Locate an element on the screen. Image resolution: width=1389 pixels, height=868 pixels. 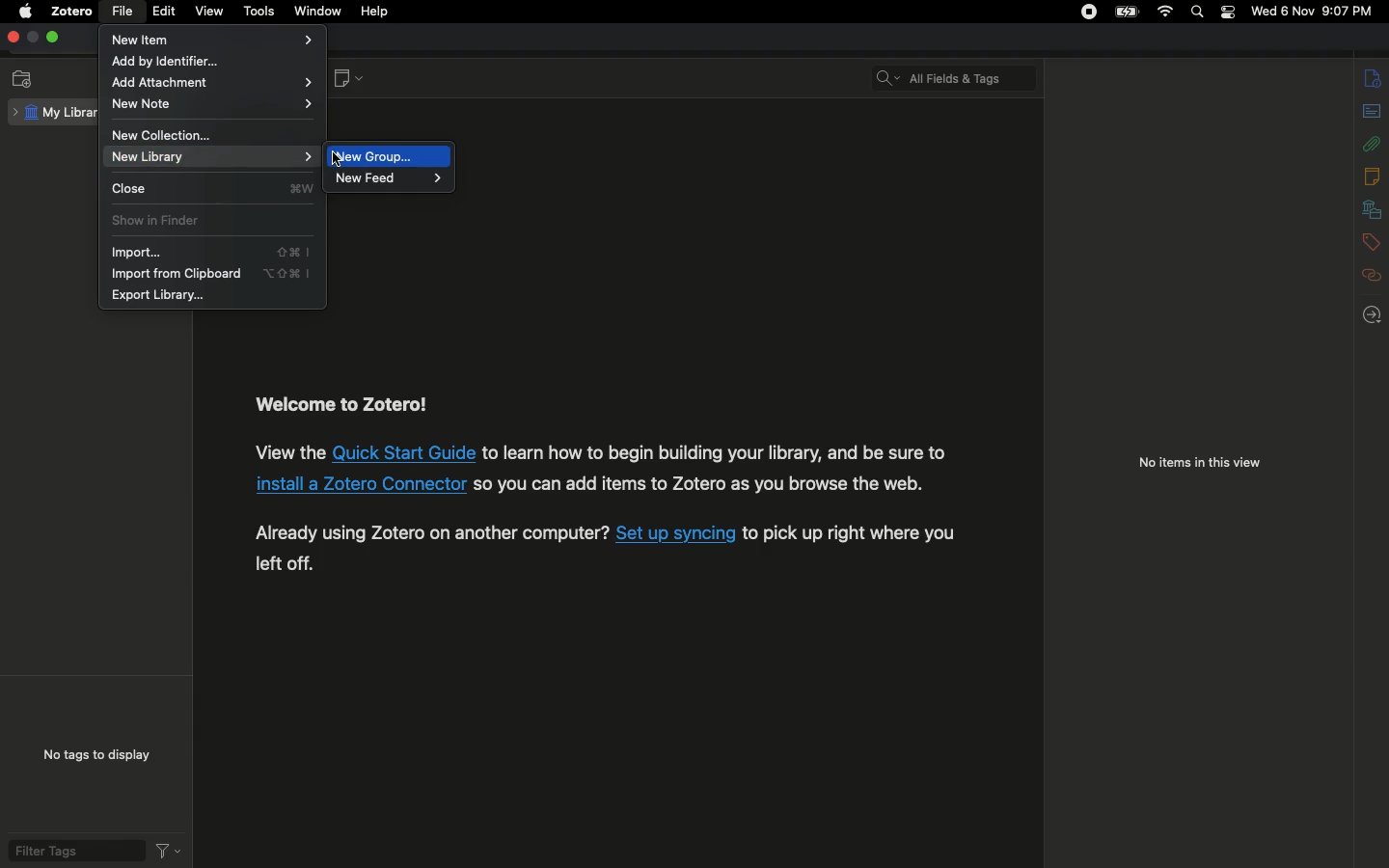
Close is located at coordinates (213, 188).